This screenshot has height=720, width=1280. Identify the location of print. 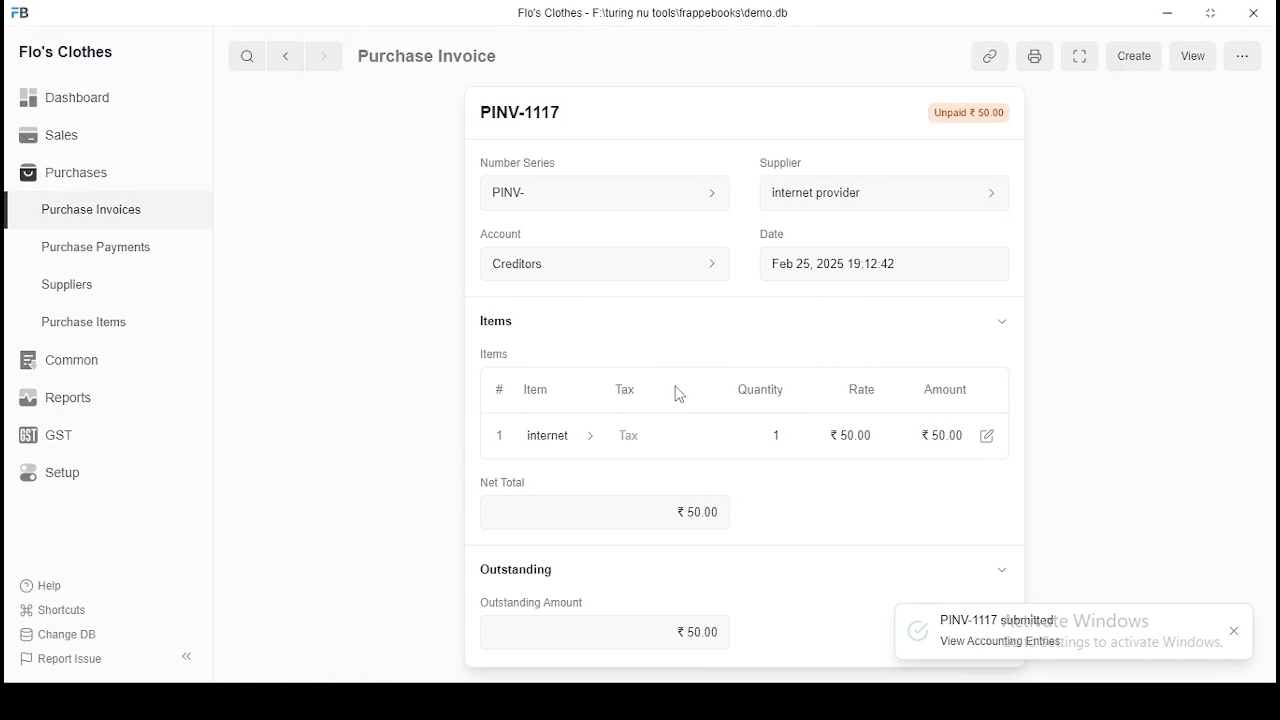
(1033, 57).